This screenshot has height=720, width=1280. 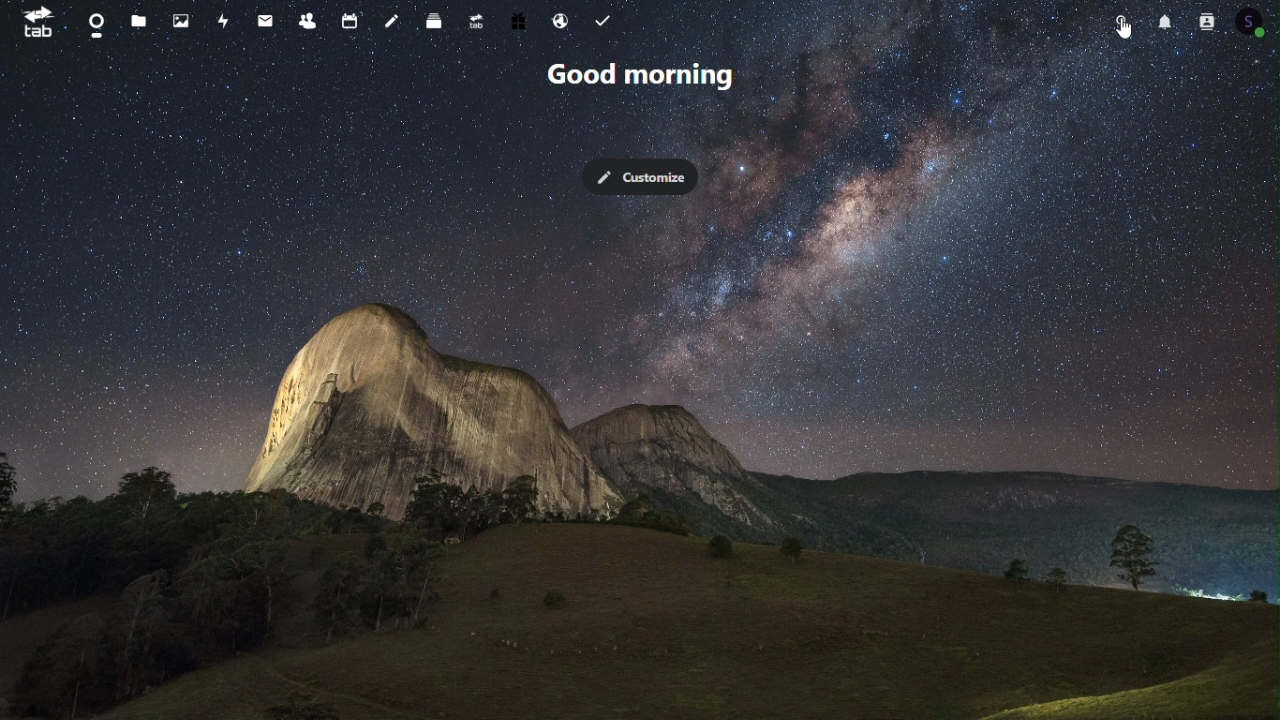 I want to click on mail, so click(x=266, y=20).